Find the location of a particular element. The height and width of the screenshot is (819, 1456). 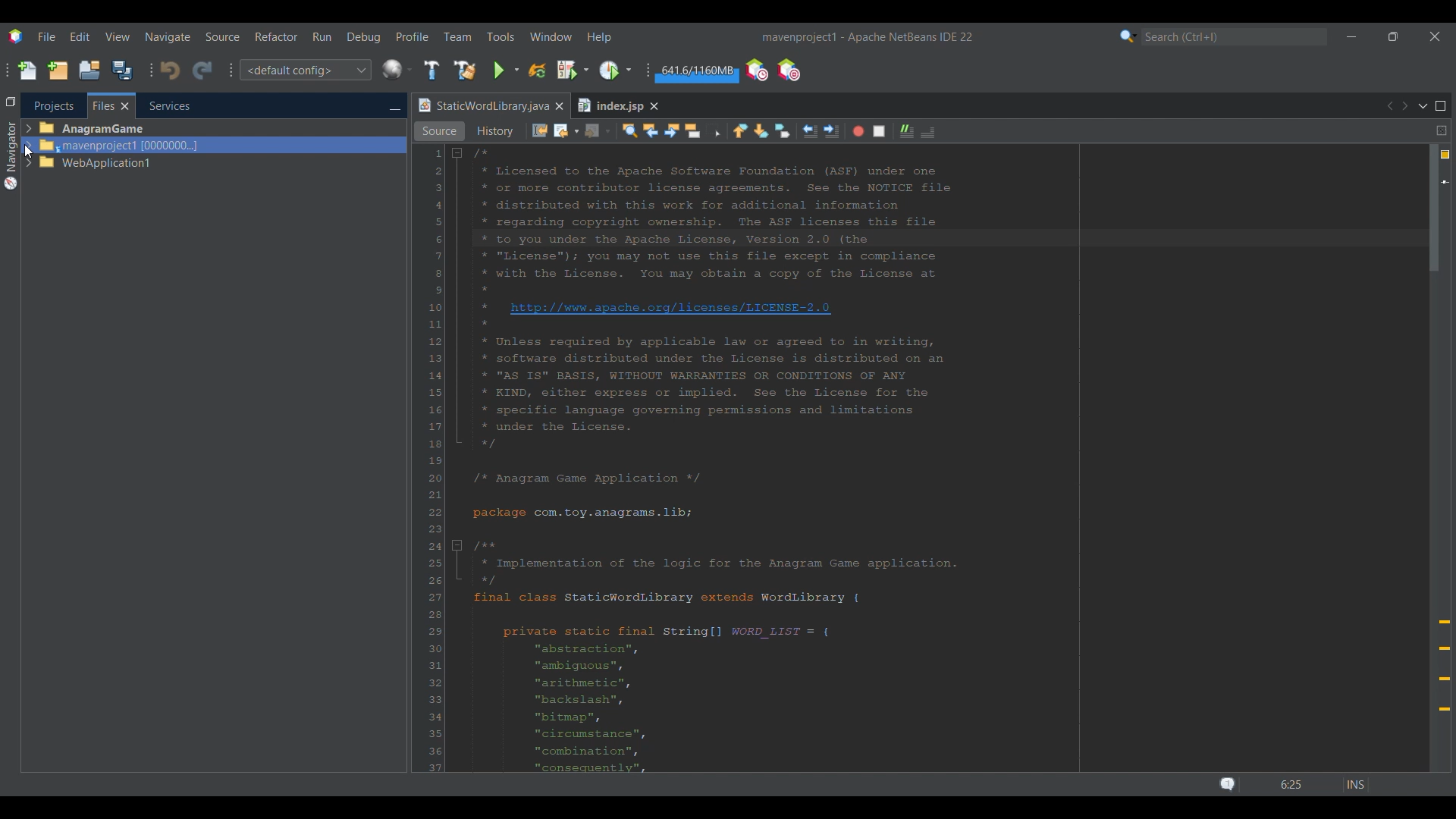

History view is located at coordinates (494, 131).